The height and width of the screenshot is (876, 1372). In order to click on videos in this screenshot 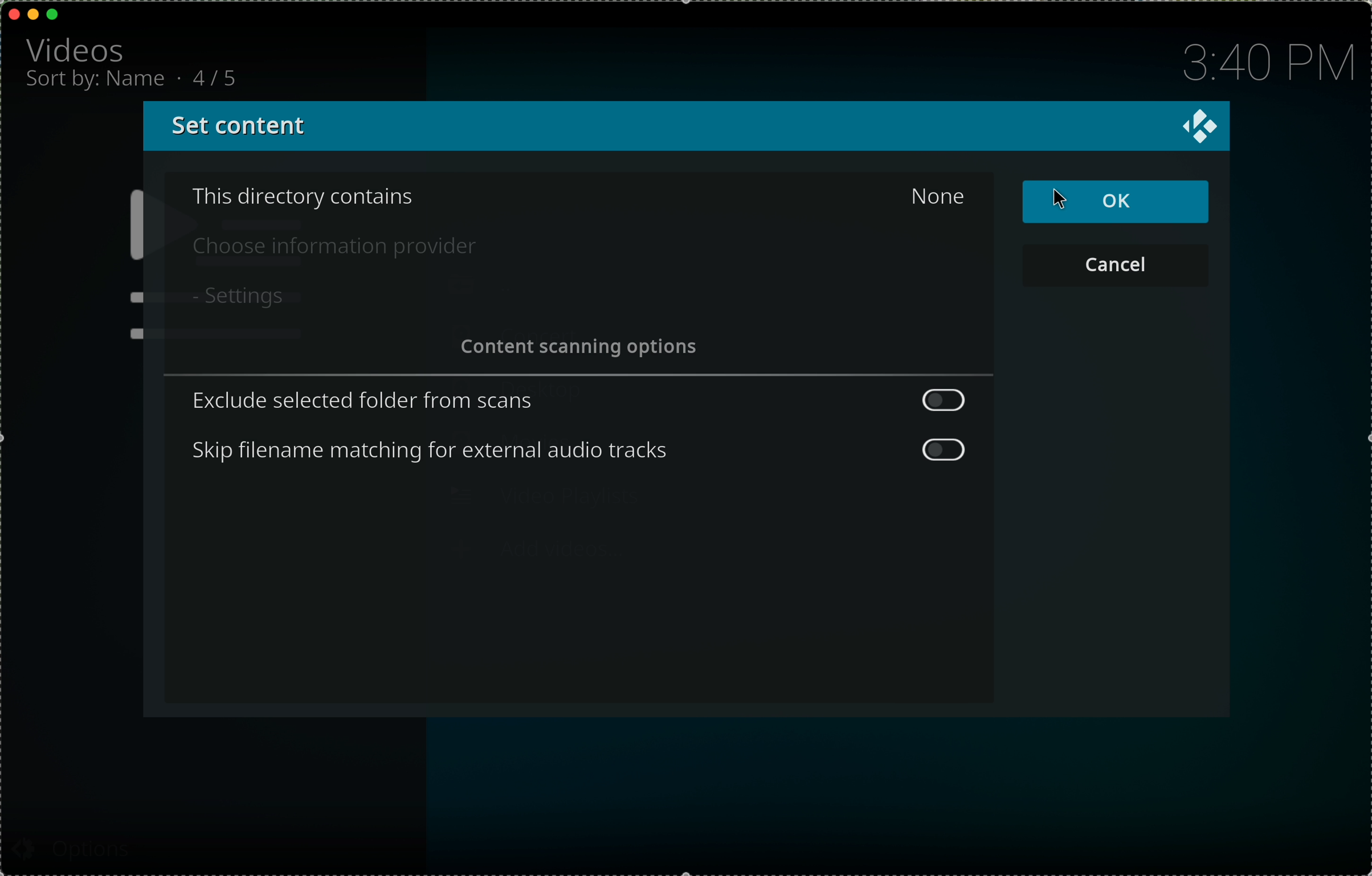, I will do `click(78, 48)`.